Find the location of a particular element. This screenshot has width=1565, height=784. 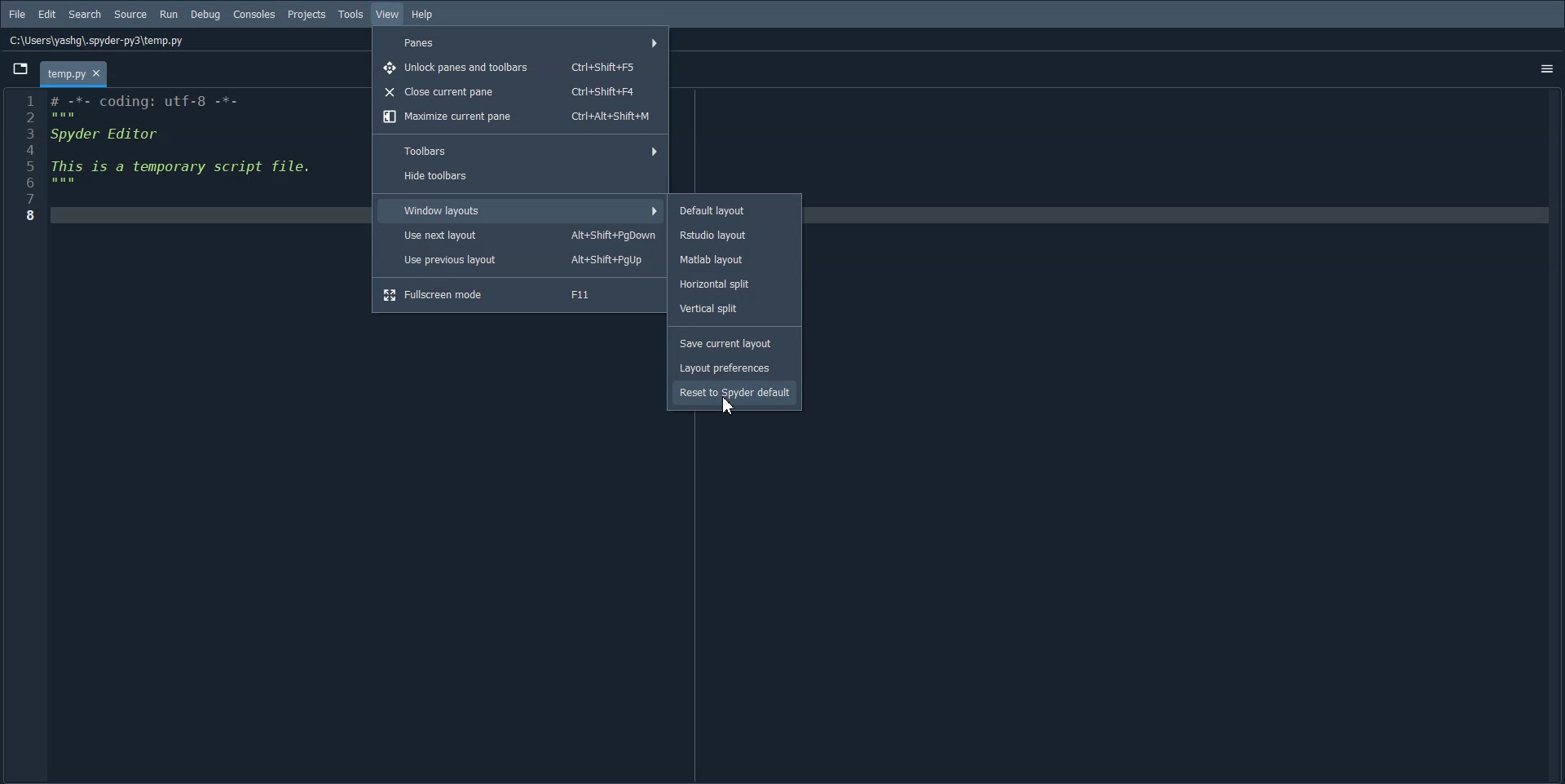

Panes is located at coordinates (522, 41).